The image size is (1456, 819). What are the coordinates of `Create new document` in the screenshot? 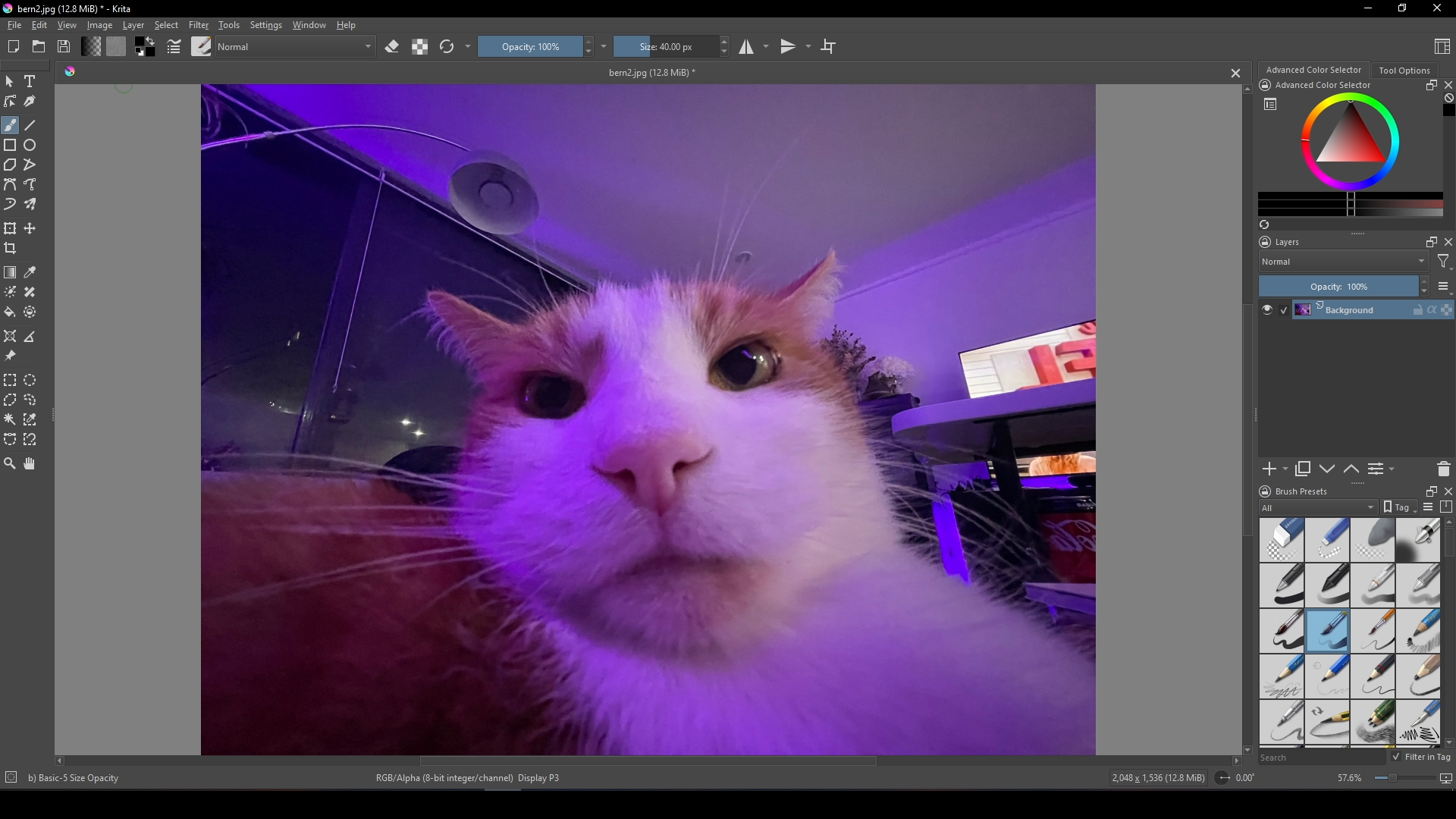 It's located at (14, 47).